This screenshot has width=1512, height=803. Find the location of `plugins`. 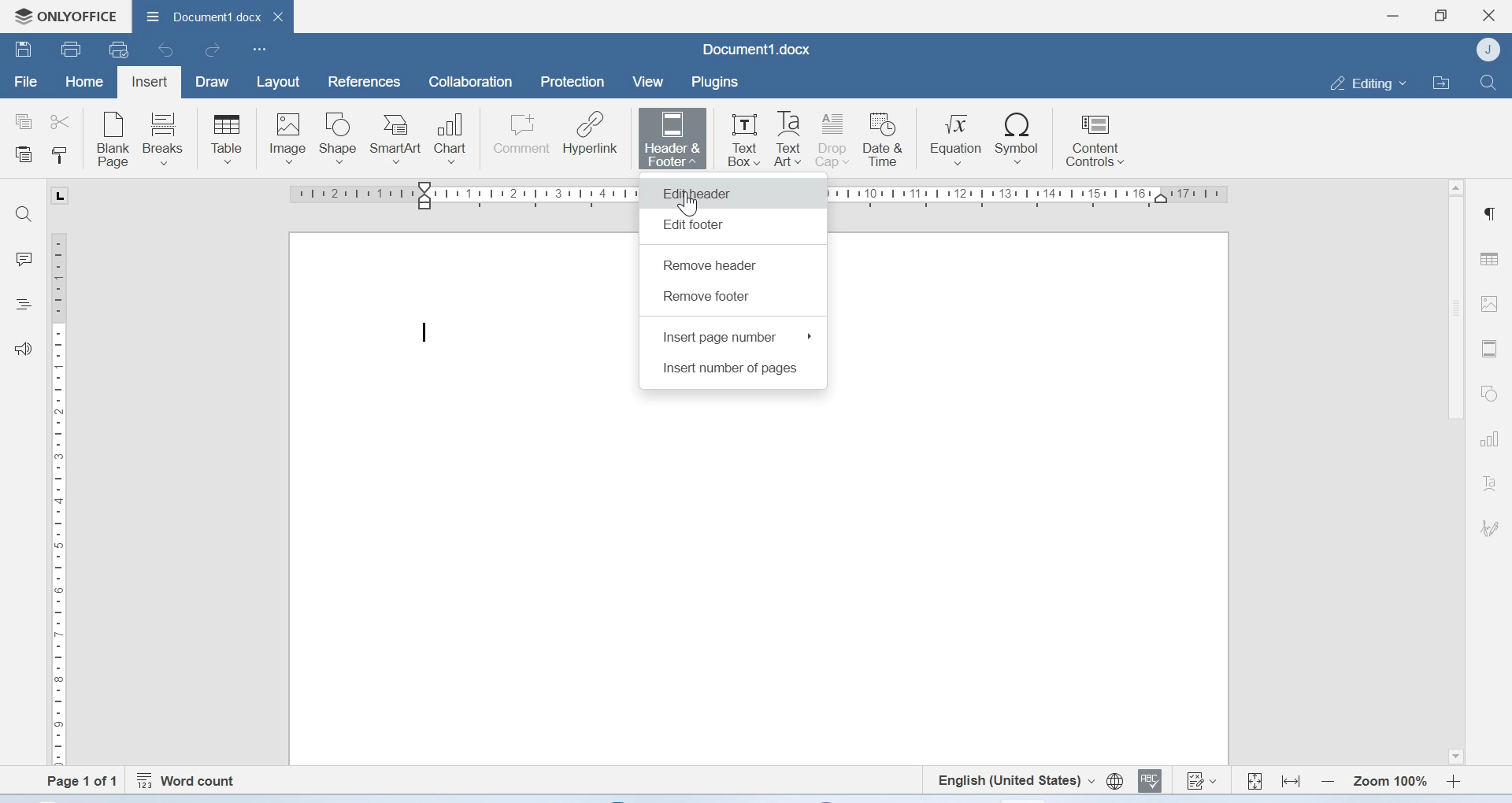

plugins is located at coordinates (721, 82).